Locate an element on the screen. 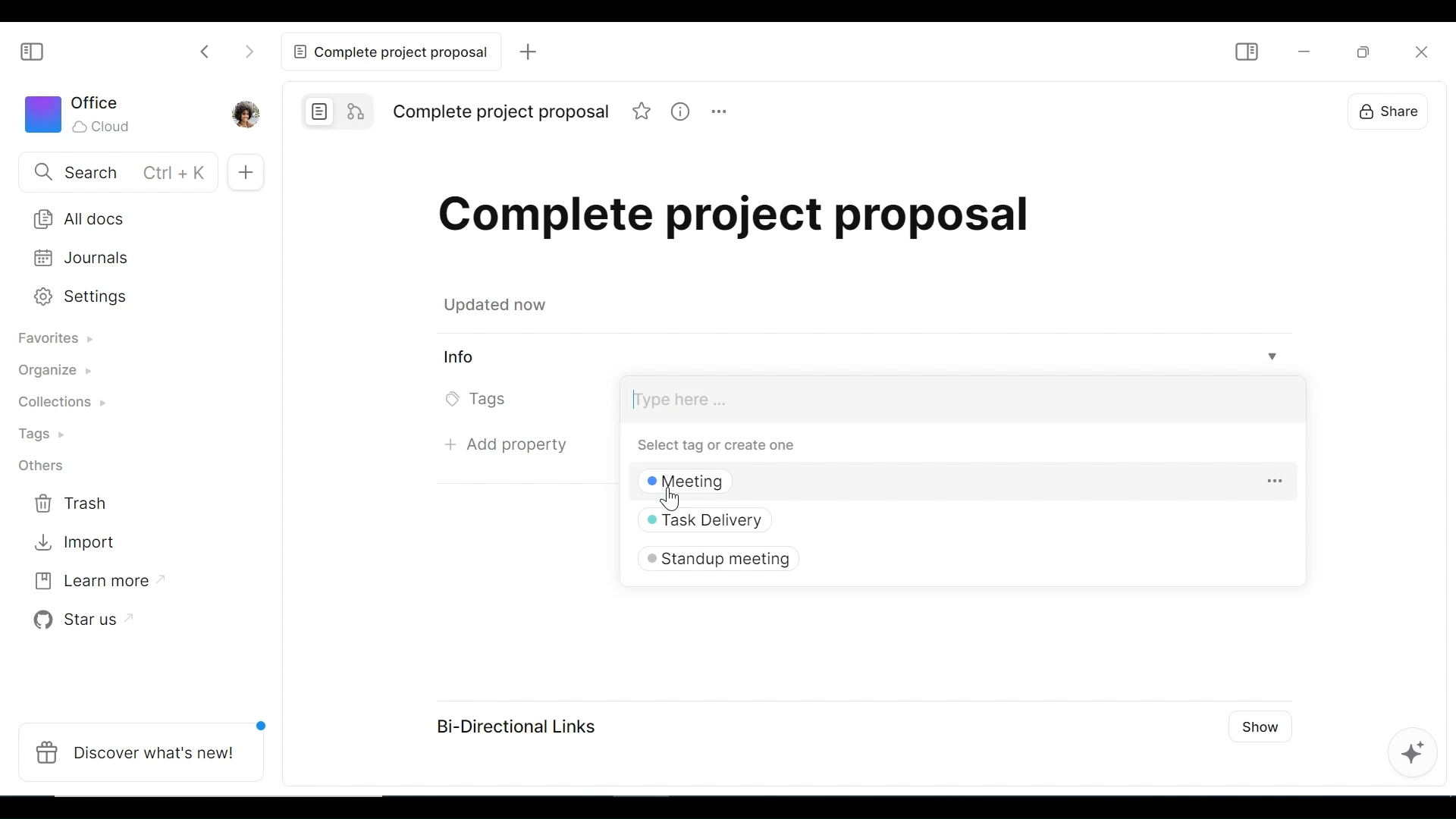  updated now is located at coordinates (499, 305).